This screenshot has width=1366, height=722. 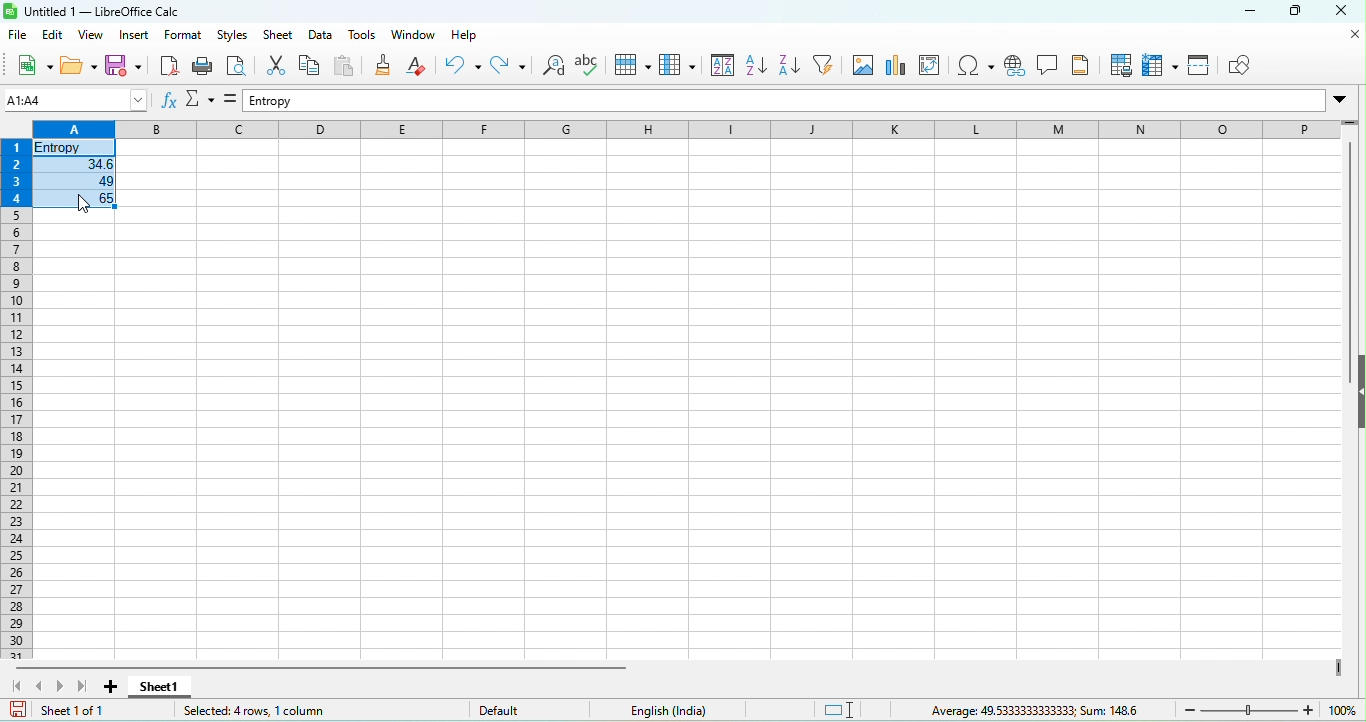 I want to click on date, so click(x=329, y=35).